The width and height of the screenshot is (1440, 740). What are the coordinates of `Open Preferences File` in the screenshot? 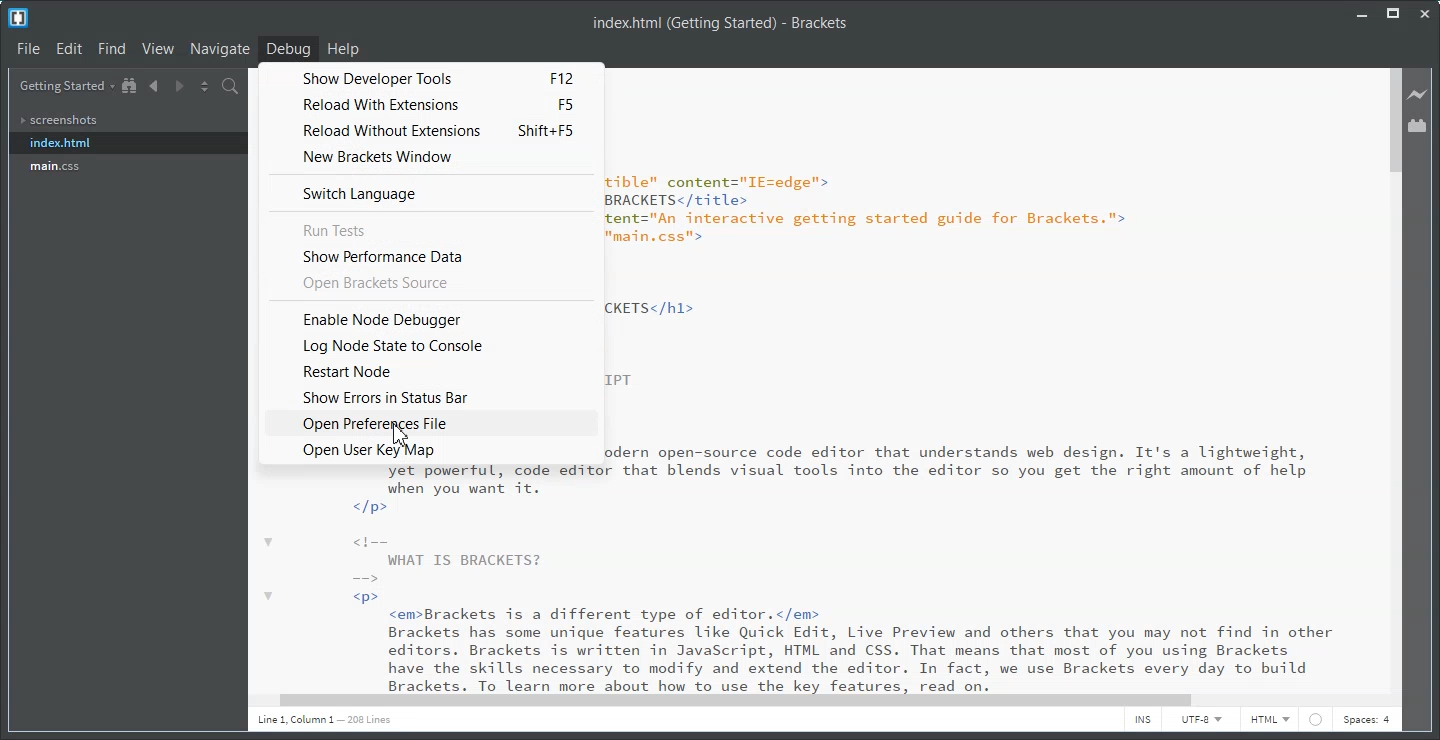 It's located at (425, 424).